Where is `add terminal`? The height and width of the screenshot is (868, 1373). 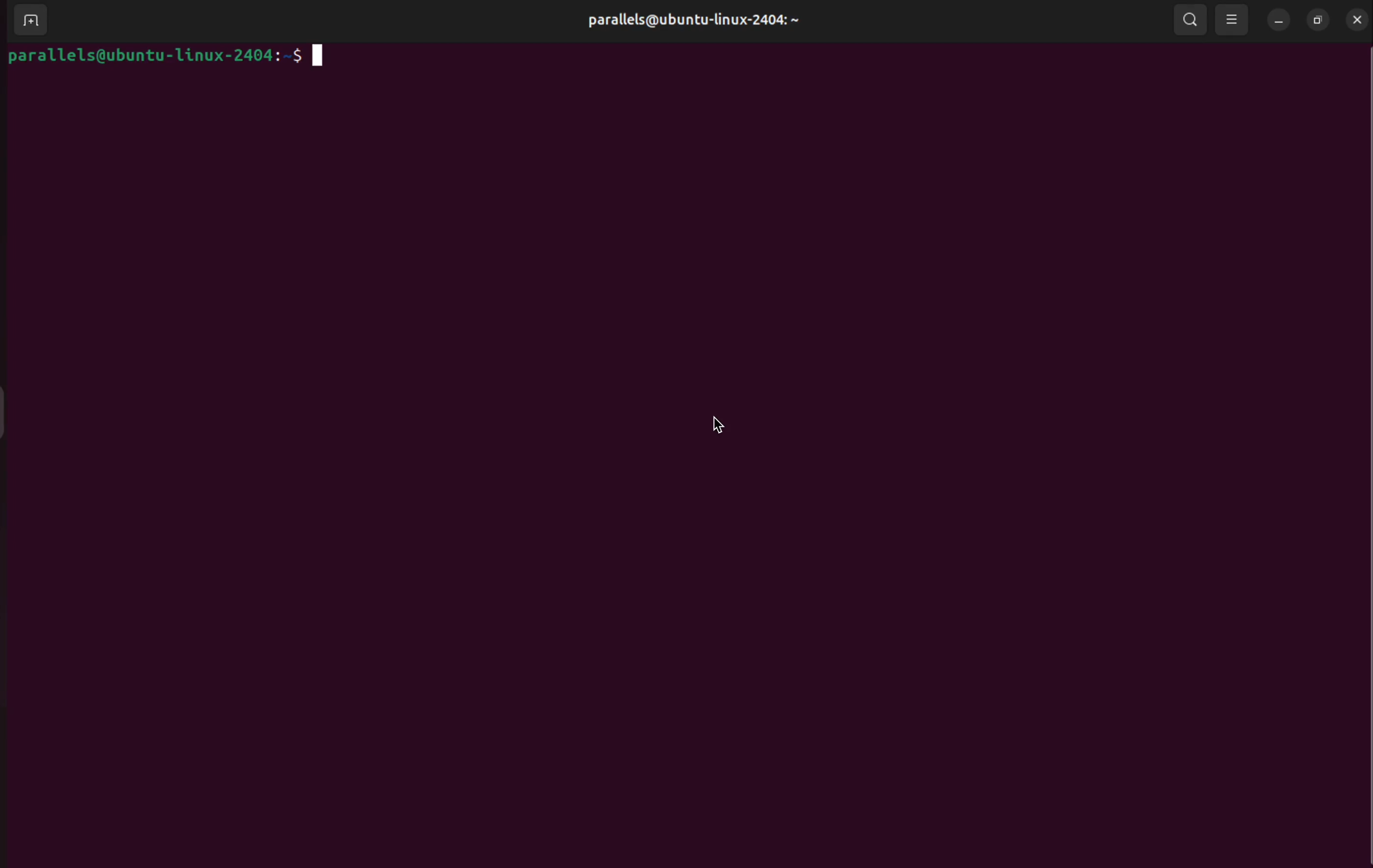
add terminal is located at coordinates (26, 22).